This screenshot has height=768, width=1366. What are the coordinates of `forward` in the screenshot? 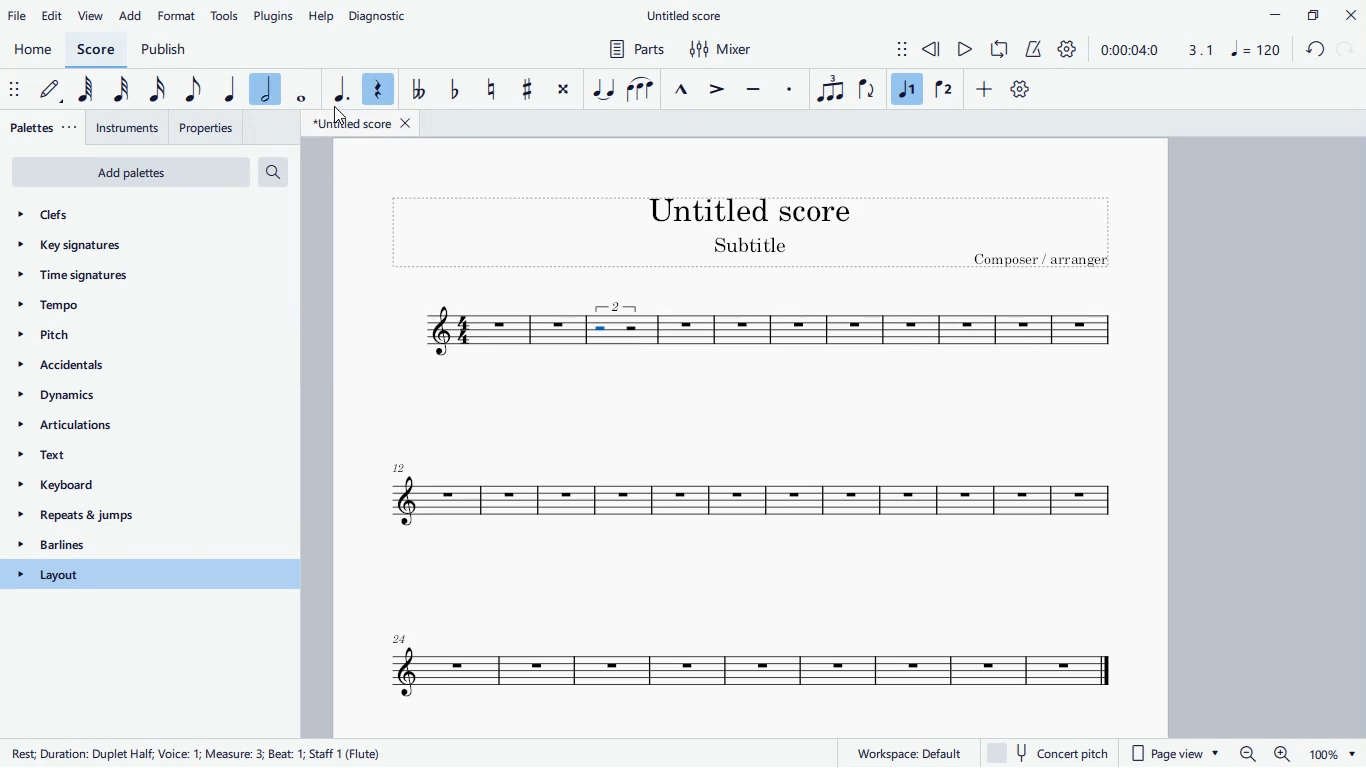 It's located at (1348, 50).